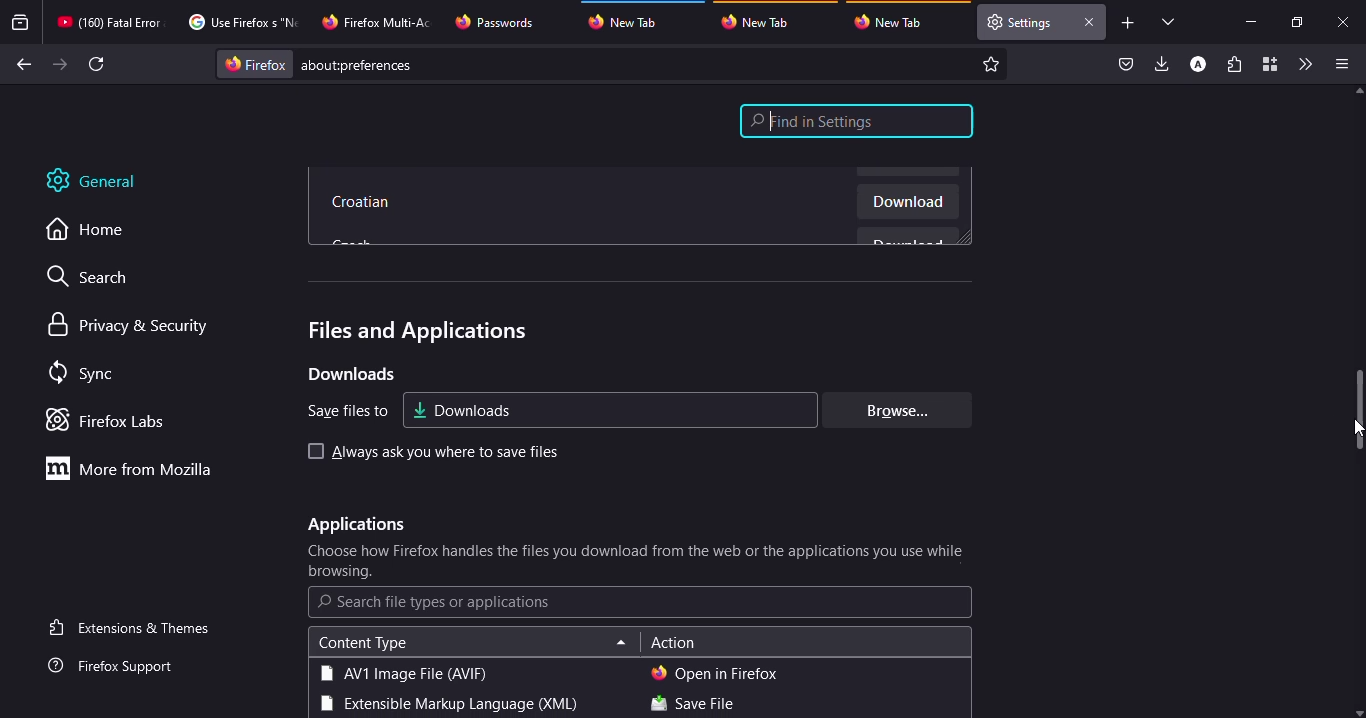 The image size is (1366, 718). I want to click on more, so click(135, 468).